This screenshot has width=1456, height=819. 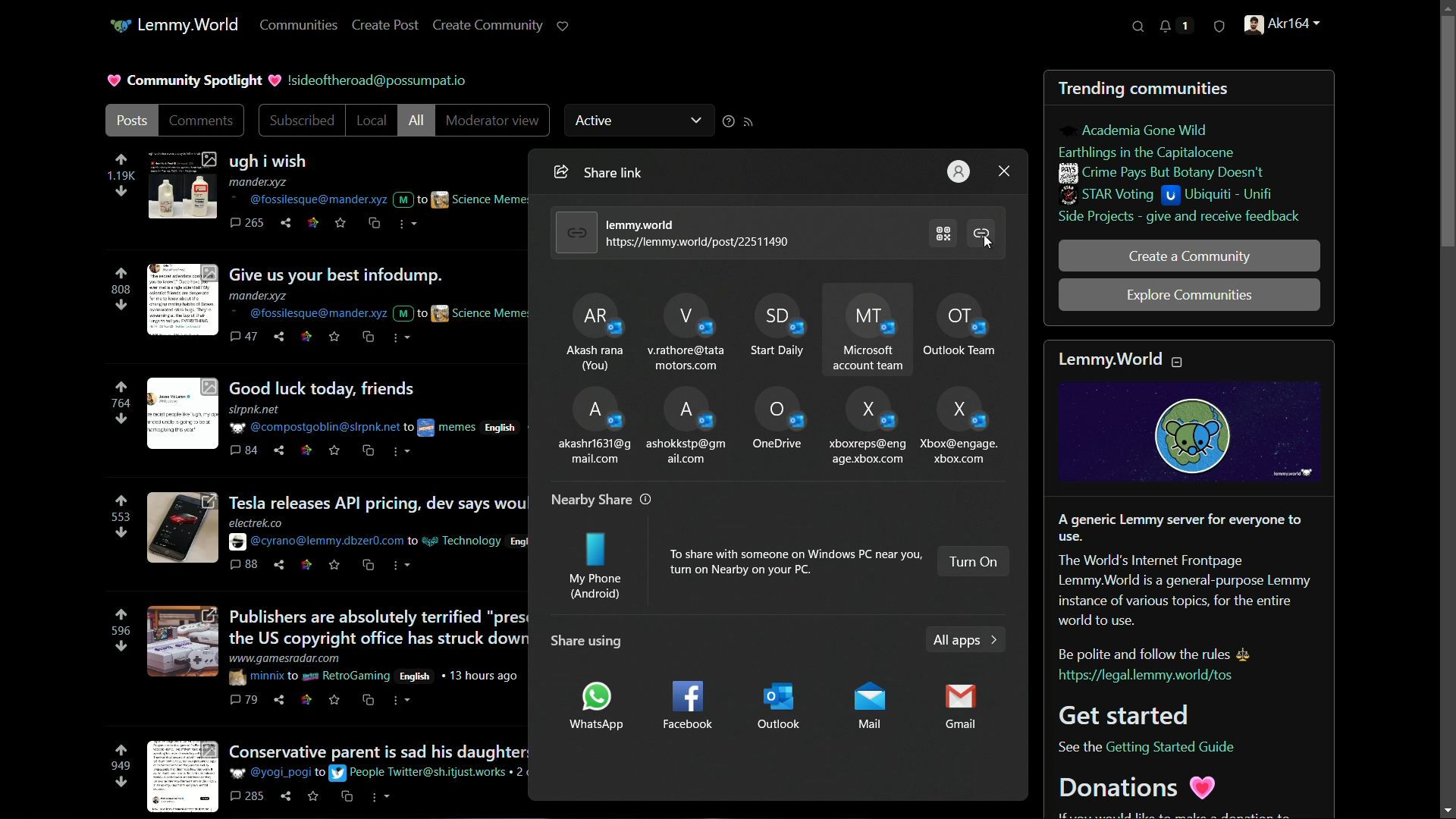 What do you see at coordinates (369, 337) in the screenshot?
I see `cross psot` at bounding box center [369, 337].